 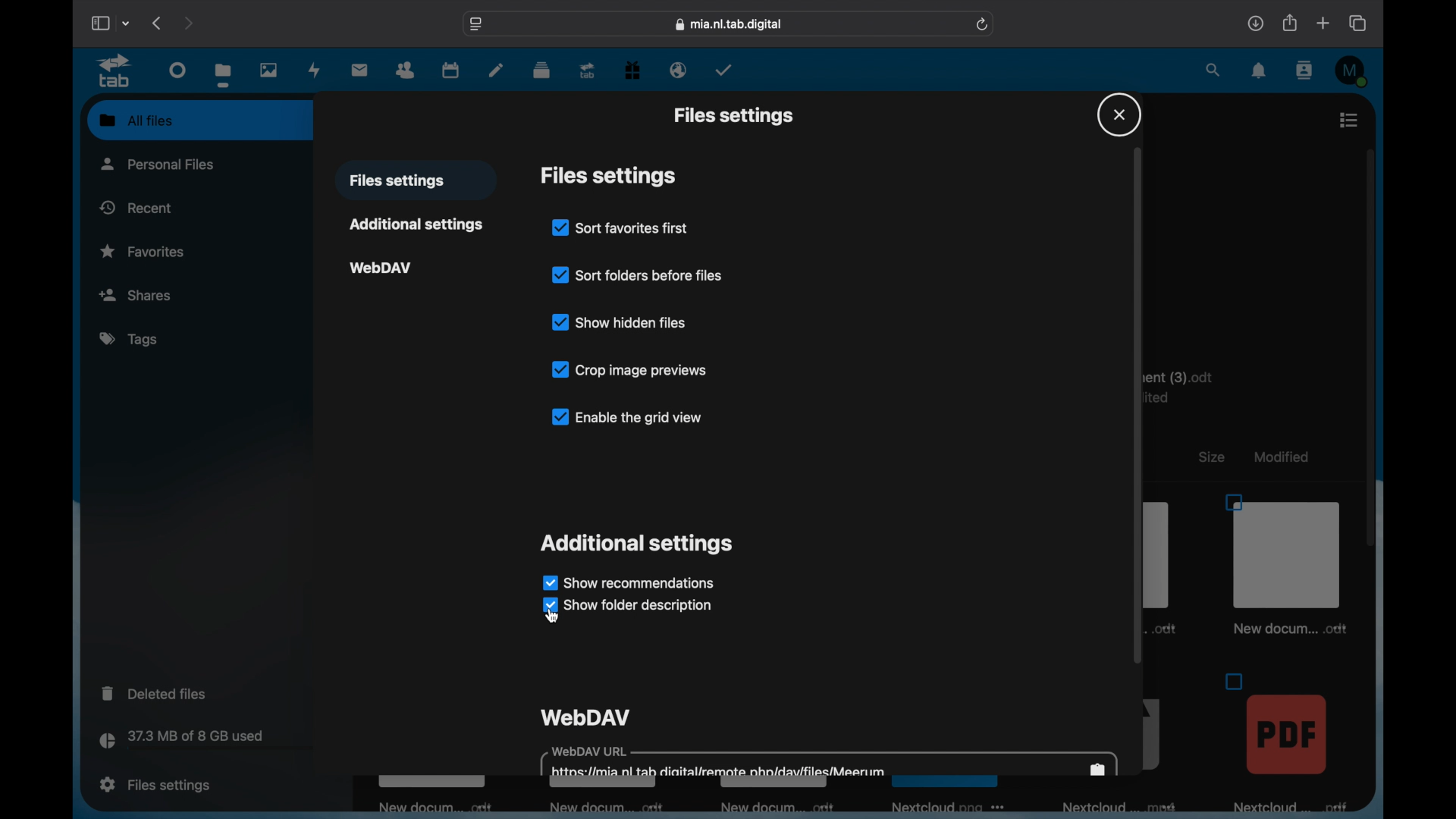 I want to click on new document, so click(x=773, y=805).